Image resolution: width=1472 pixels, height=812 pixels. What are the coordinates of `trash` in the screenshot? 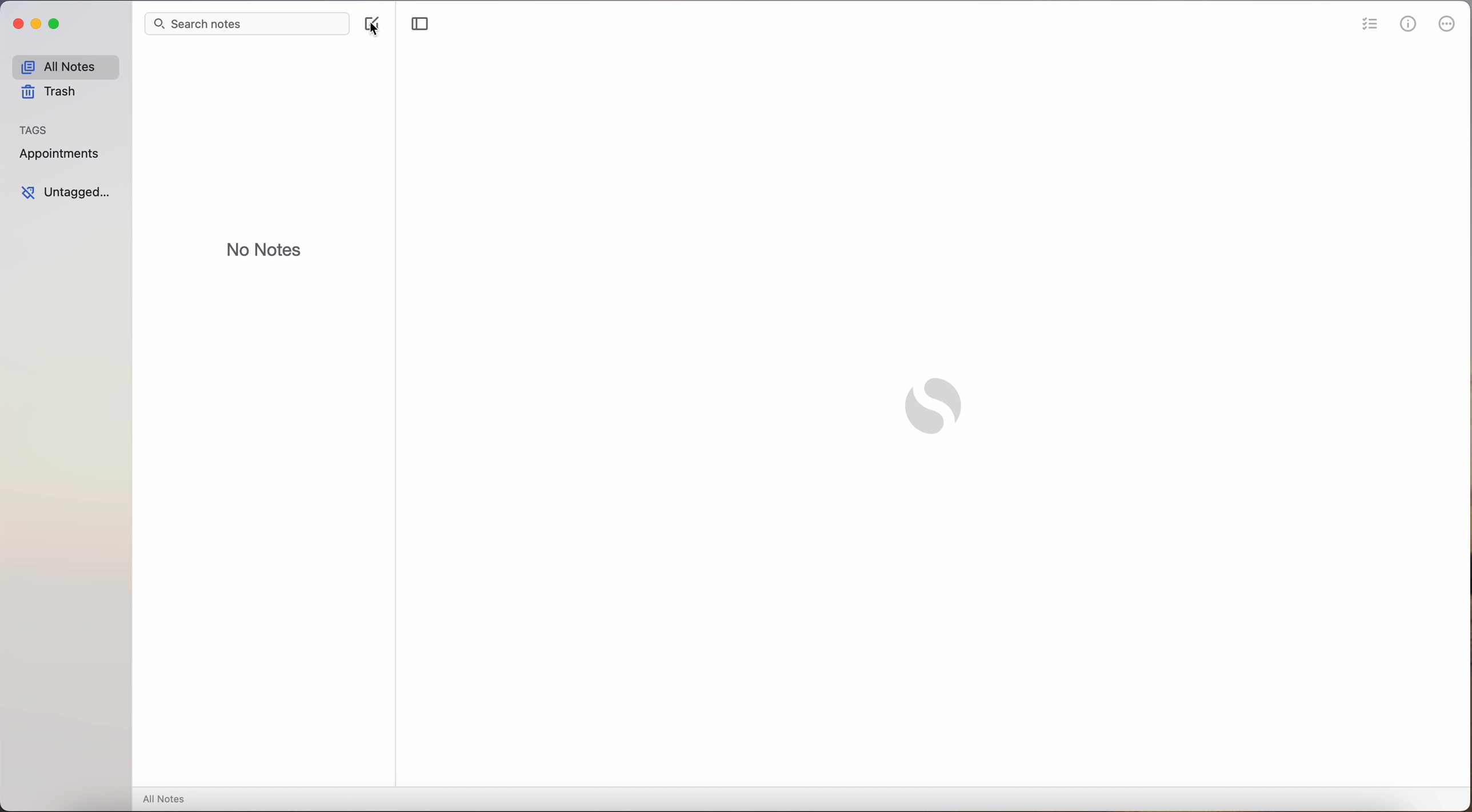 It's located at (53, 92).